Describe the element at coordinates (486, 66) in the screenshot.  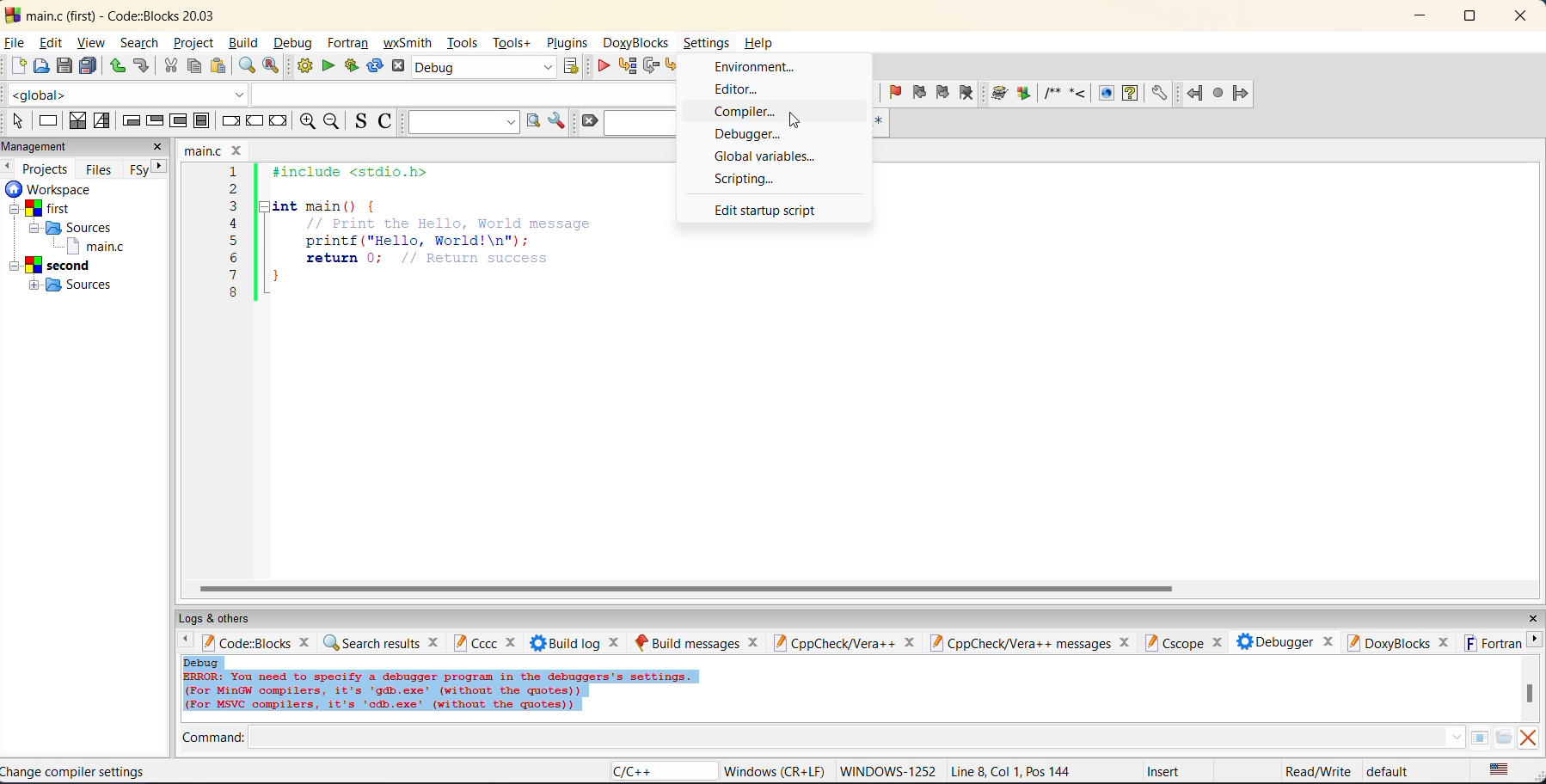
I see `Debug` at that location.